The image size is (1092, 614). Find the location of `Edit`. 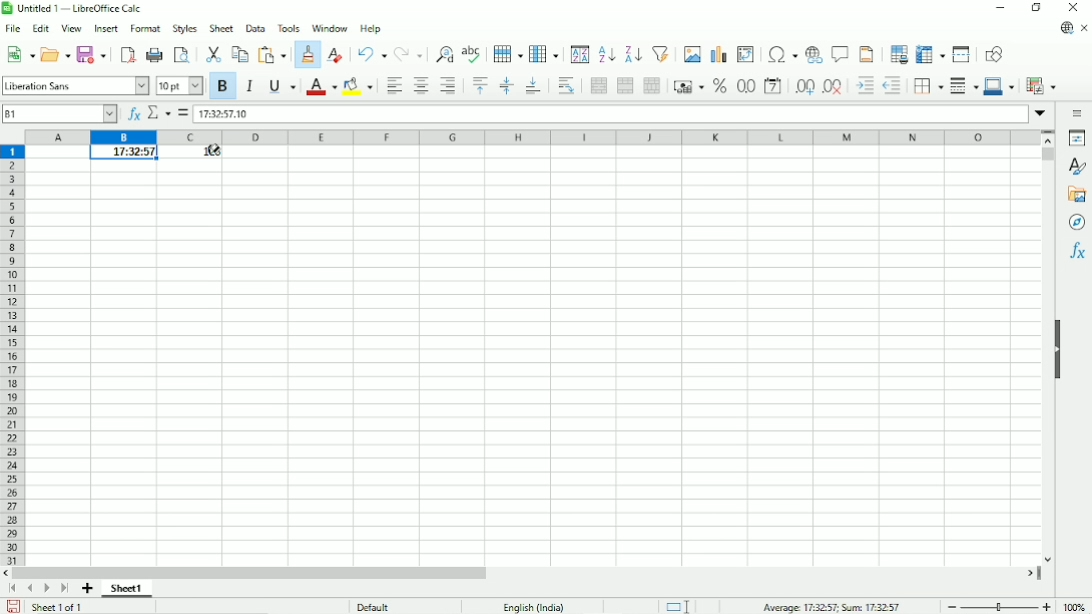

Edit is located at coordinates (39, 30).